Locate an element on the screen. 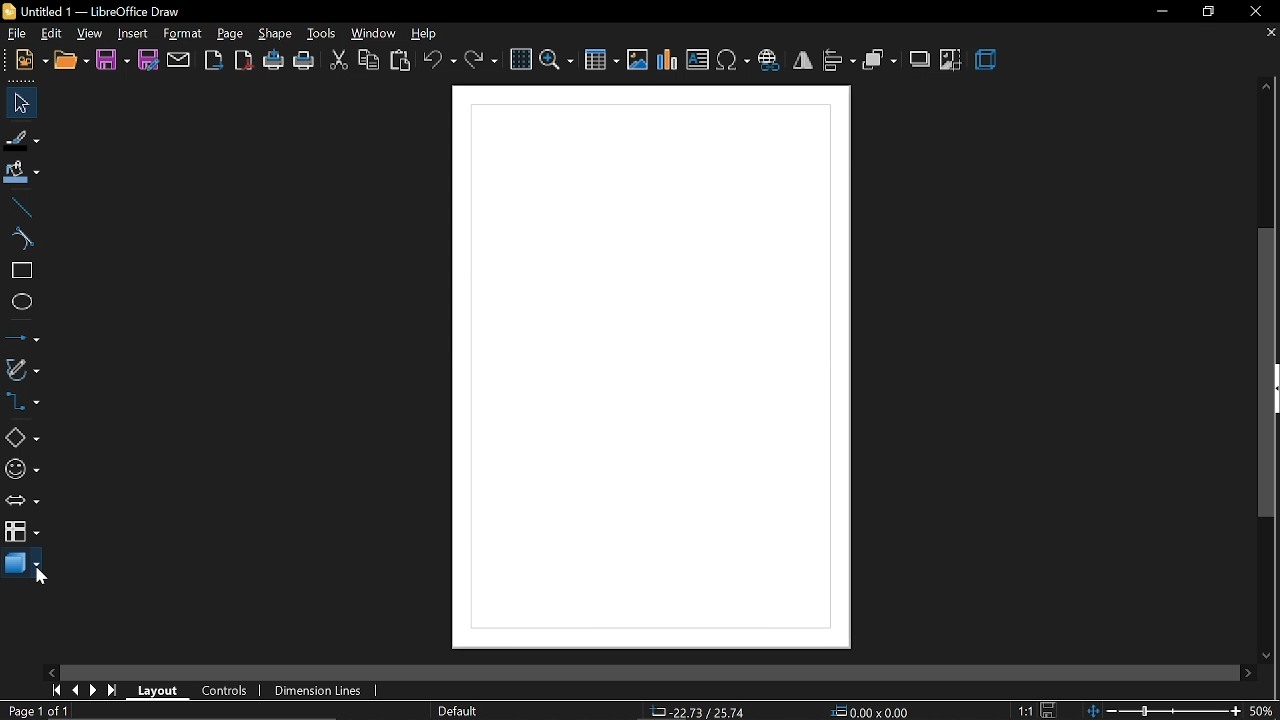  close is located at coordinates (1258, 10).